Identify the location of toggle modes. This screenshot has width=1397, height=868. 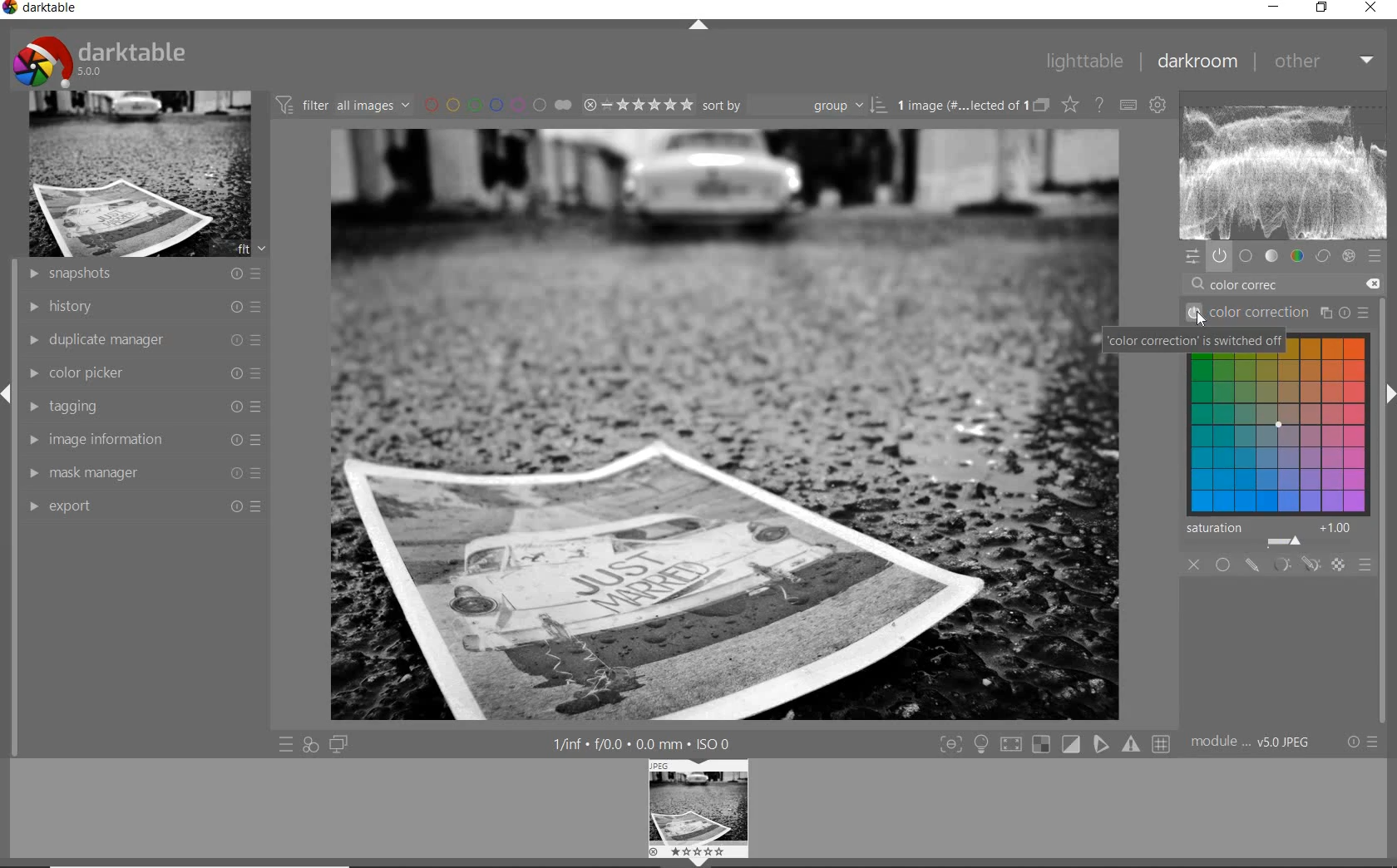
(1056, 742).